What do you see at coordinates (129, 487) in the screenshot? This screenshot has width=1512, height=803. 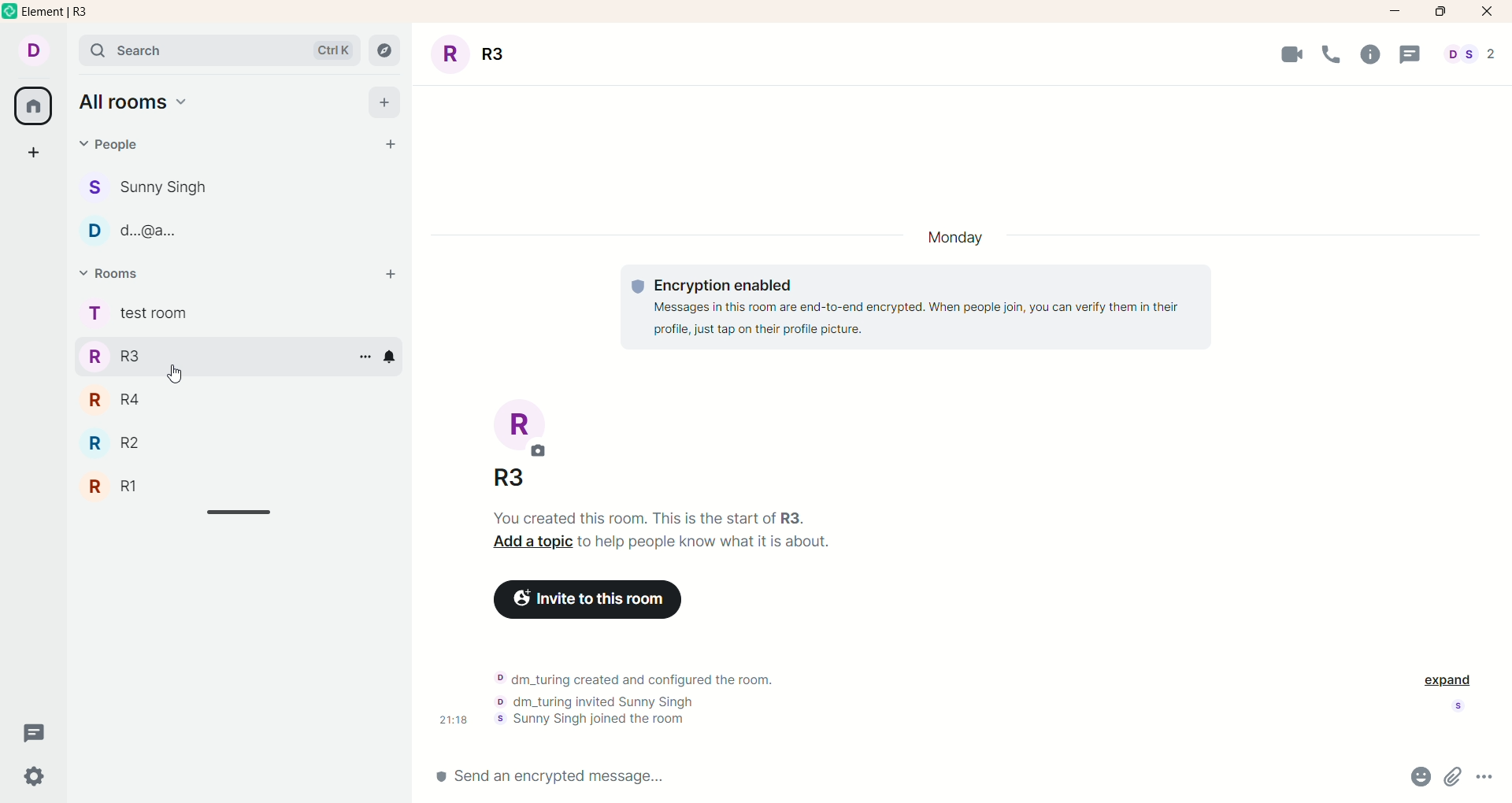 I see `R1` at bounding box center [129, 487].